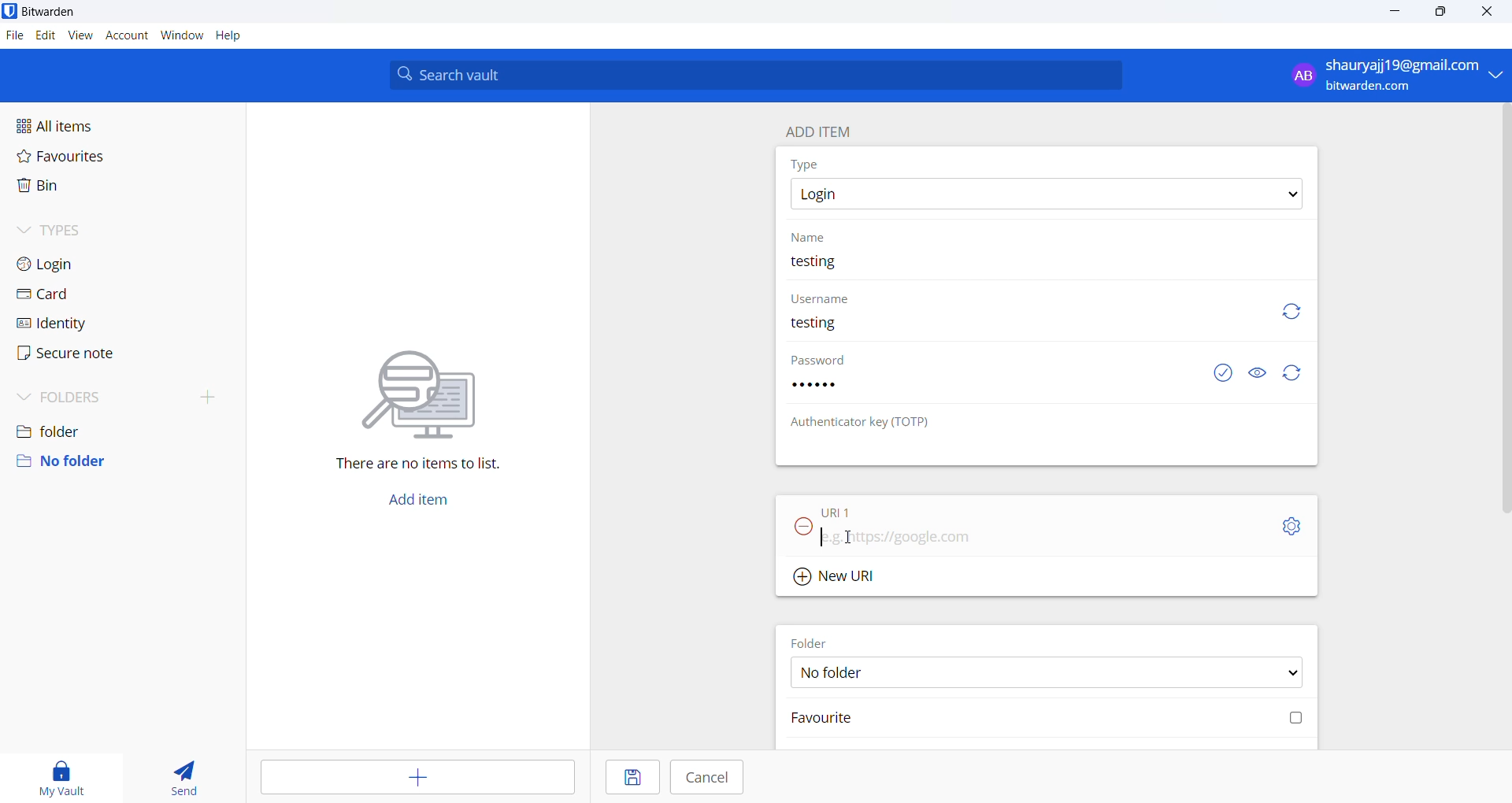  I want to click on all items, so click(91, 123).